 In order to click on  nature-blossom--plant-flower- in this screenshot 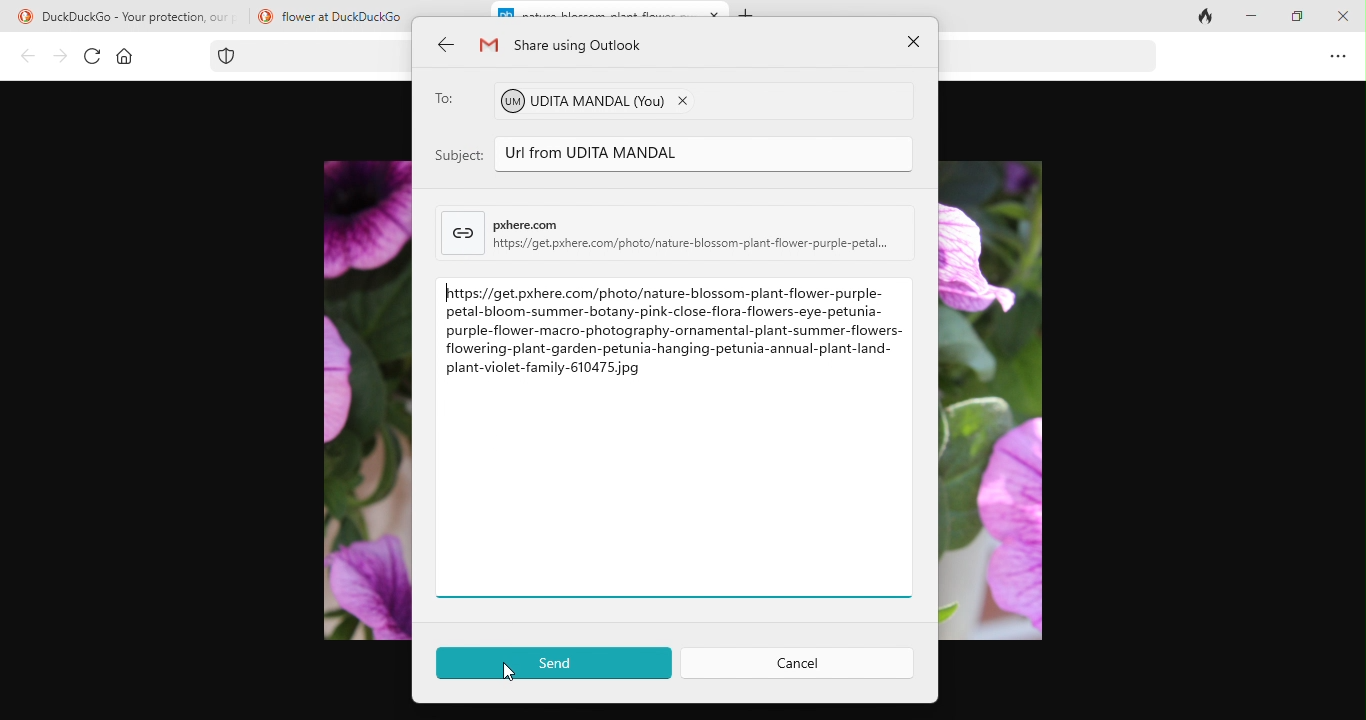, I will do `click(595, 12)`.